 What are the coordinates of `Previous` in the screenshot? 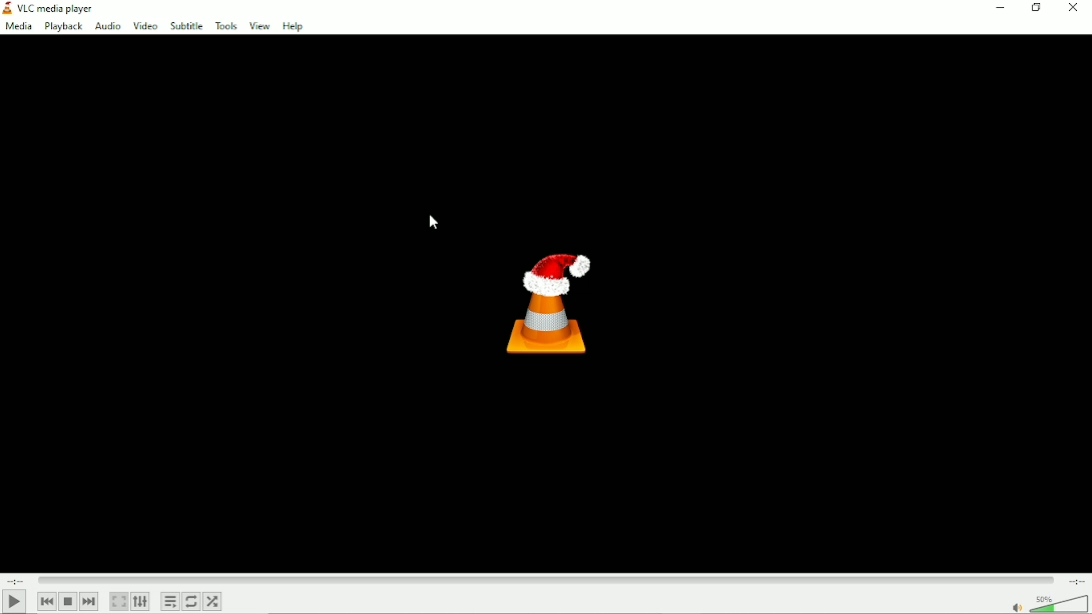 It's located at (47, 601).